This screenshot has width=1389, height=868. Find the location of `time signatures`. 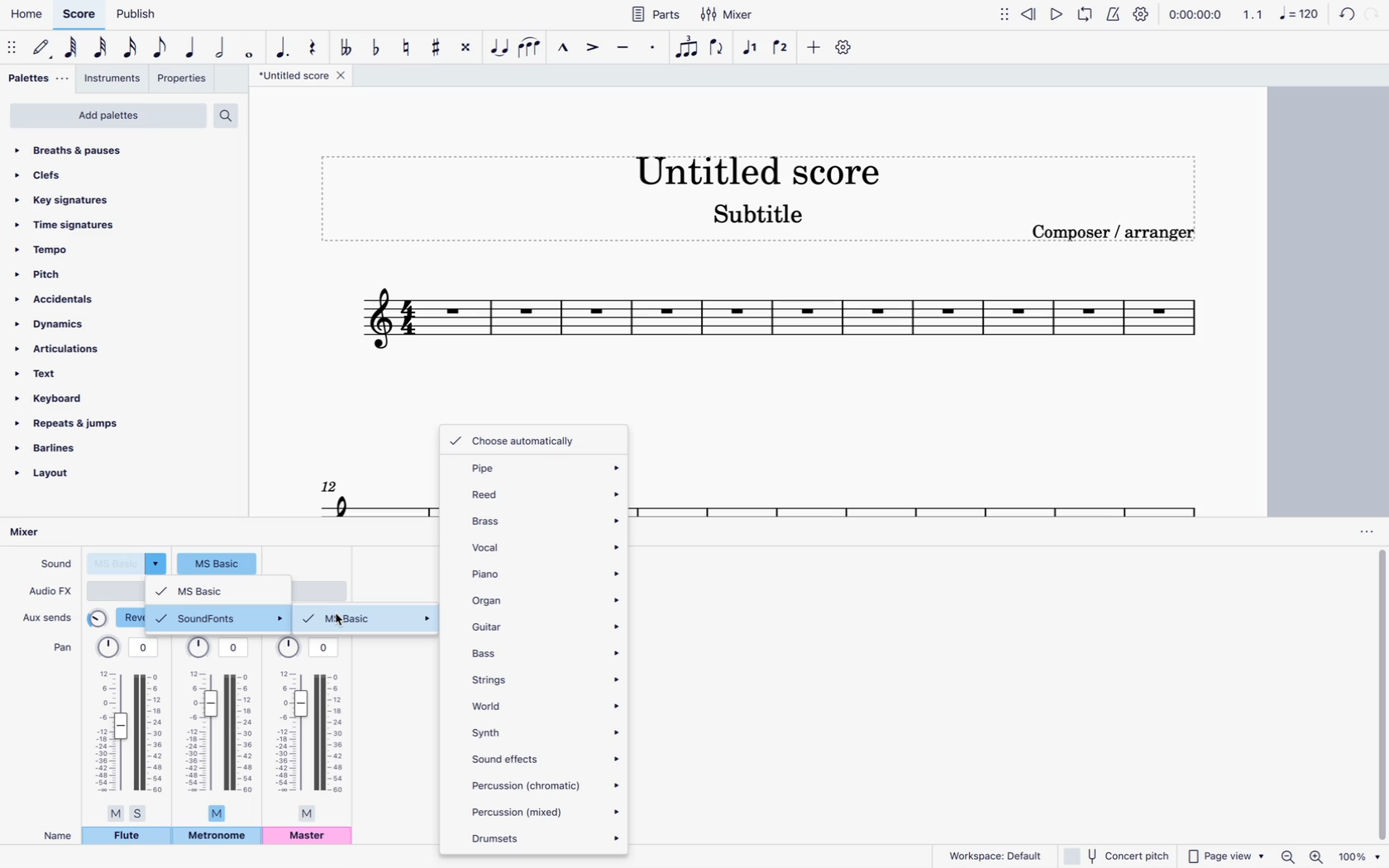

time signatures is located at coordinates (82, 227).